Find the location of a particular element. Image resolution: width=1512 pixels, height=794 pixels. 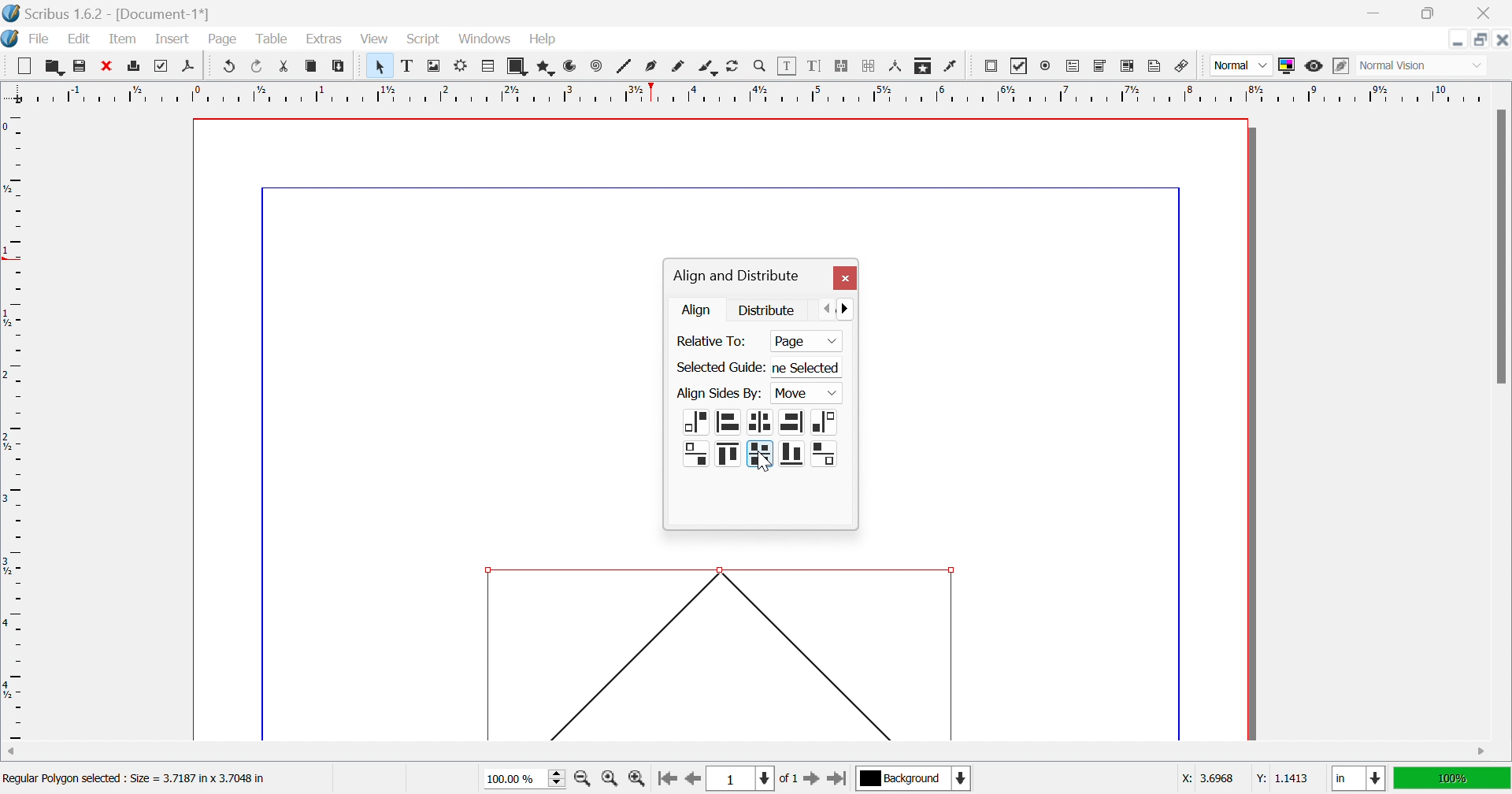

PDF List box is located at coordinates (1128, 65).